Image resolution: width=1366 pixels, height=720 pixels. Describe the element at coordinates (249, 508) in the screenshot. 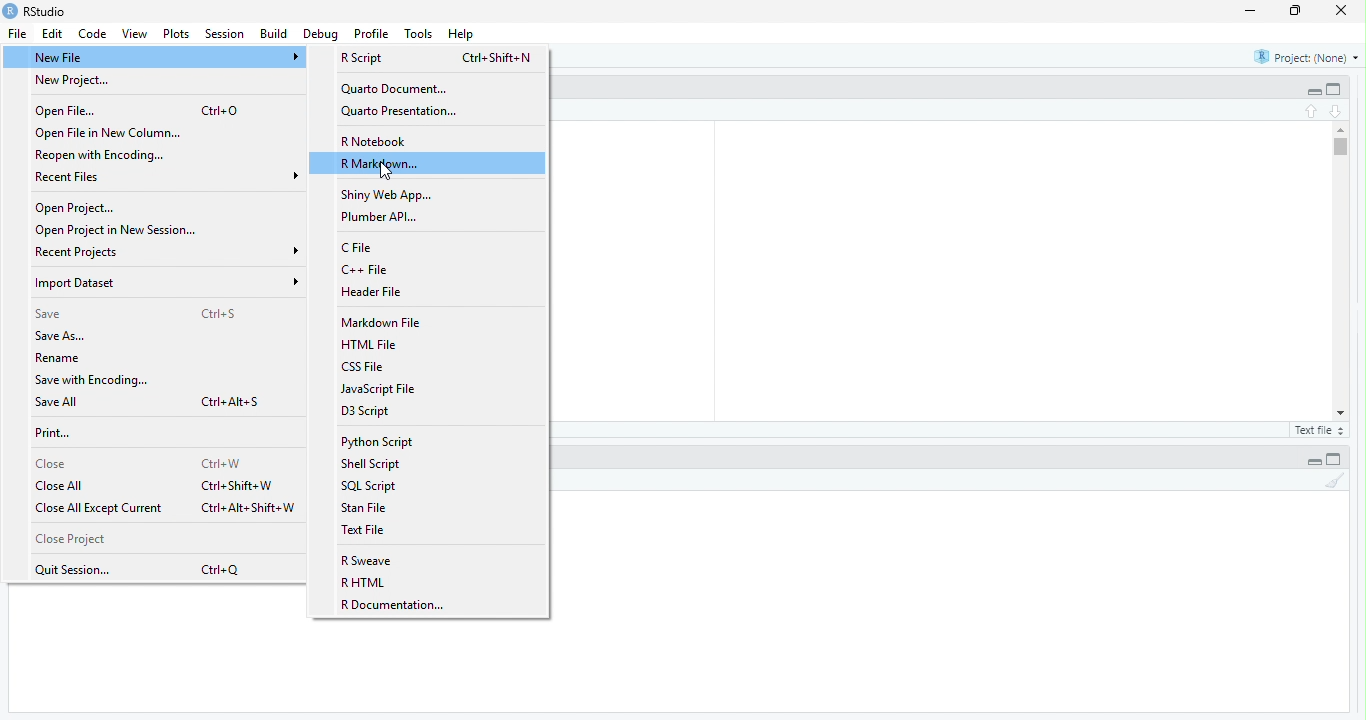

I see `Ctrl+Alt+Shift+W` at that location.